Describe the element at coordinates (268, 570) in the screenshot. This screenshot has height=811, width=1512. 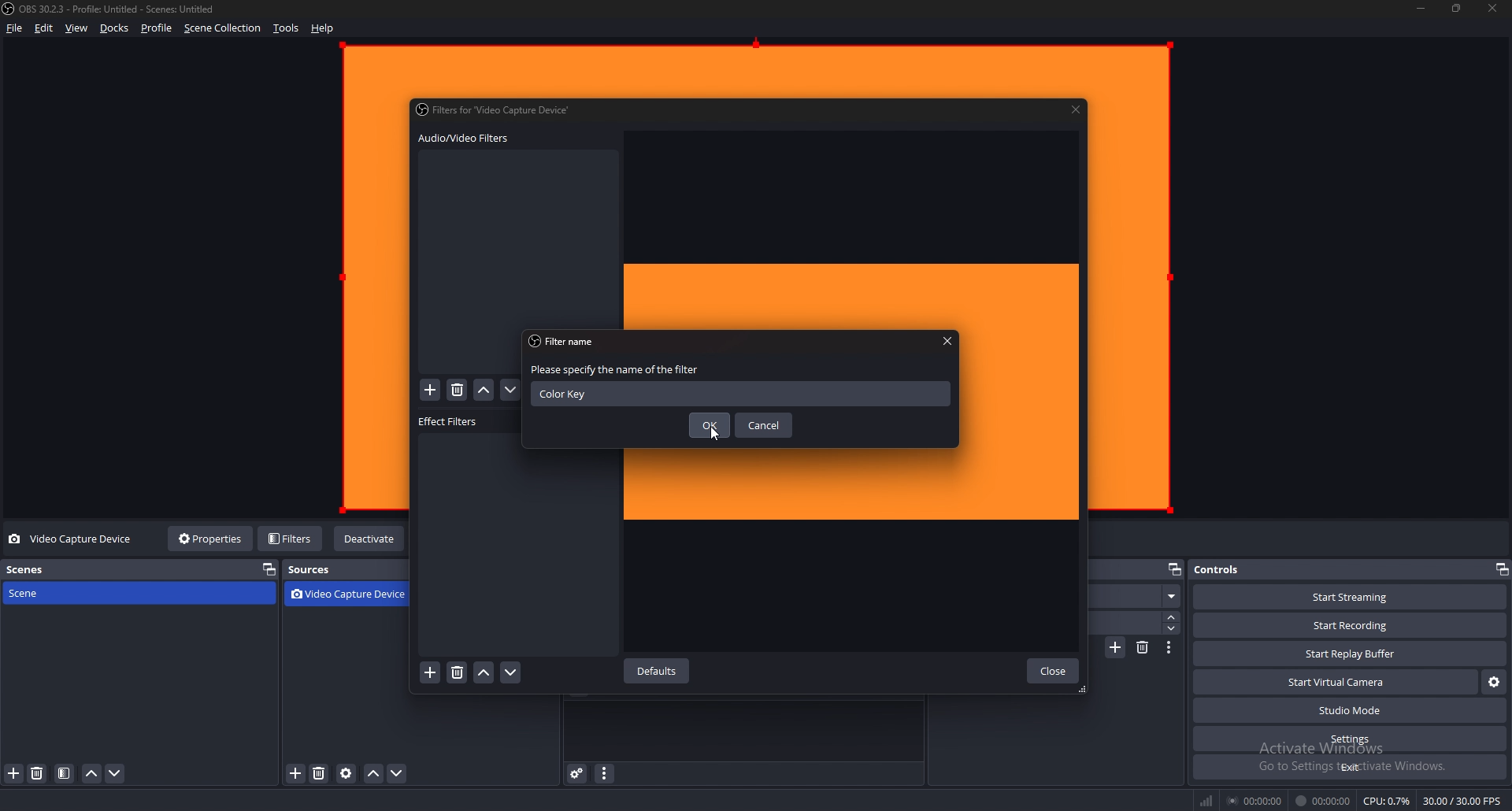
I see `pop out` at that location.